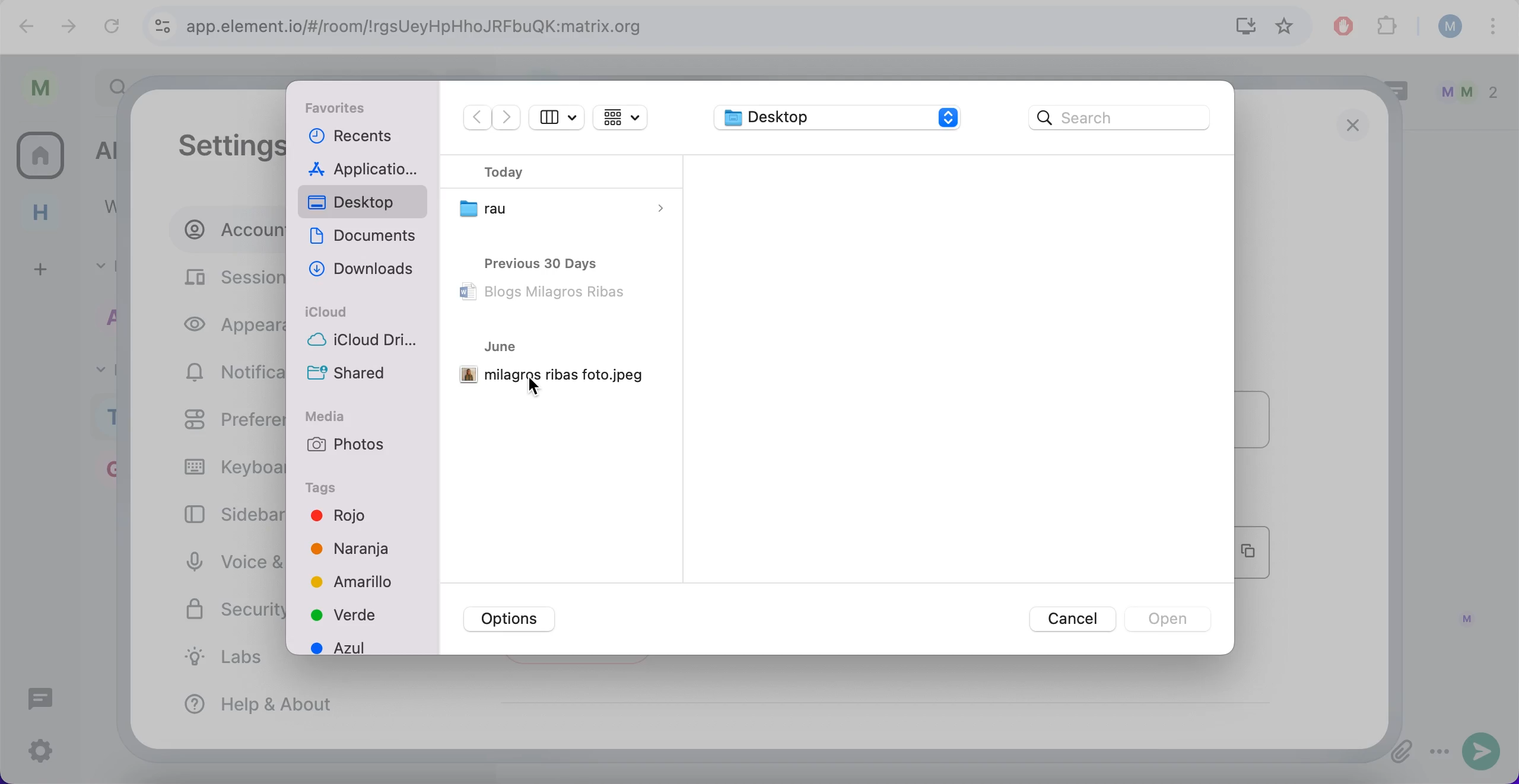 This screenshot has width=1519, height=784. Describe the element at coordinates (225, 280) in the screenshot. I see `sessions` at that location.